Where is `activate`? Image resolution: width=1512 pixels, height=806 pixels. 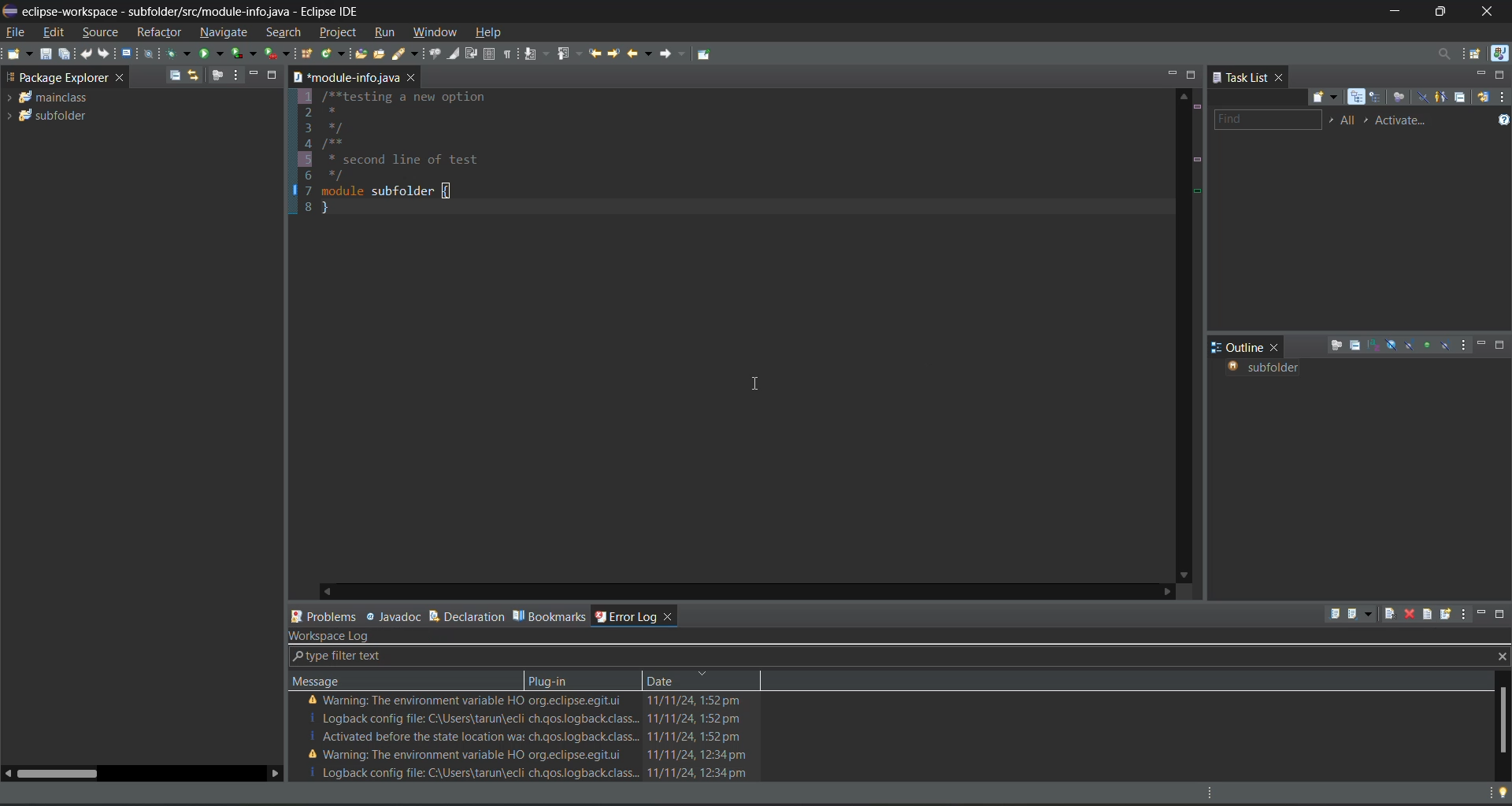 activate is located at coordinates (1406, 121).